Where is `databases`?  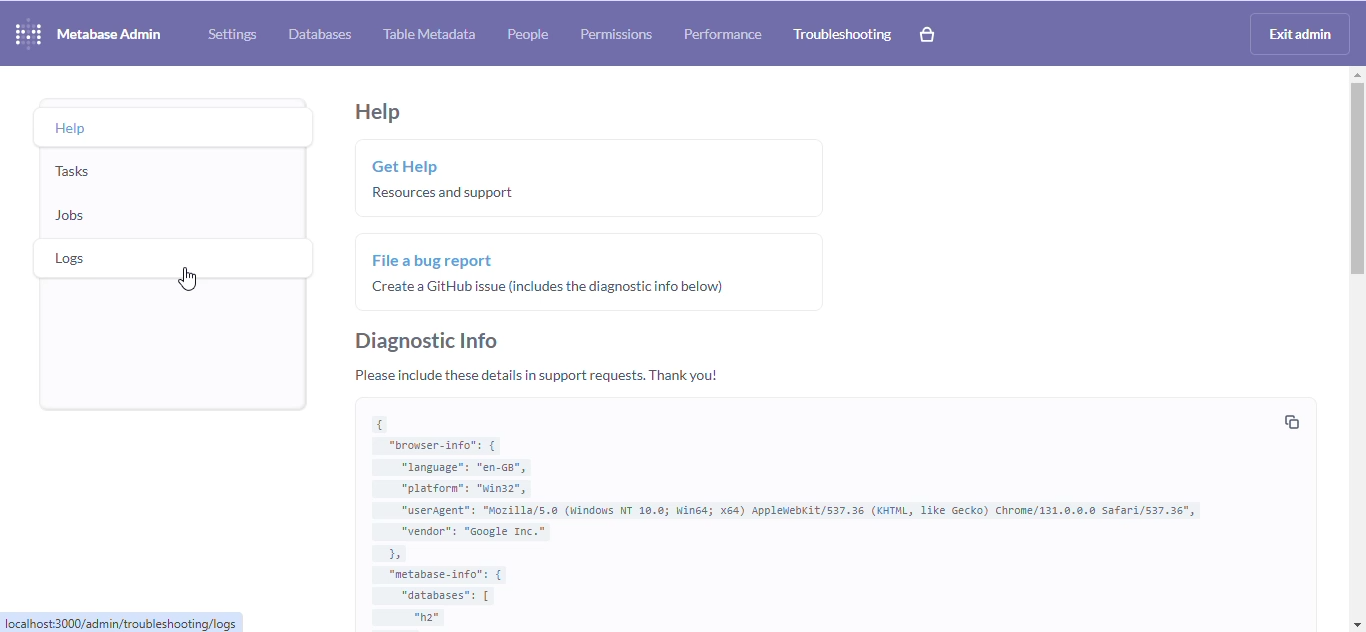
databases is located at coordinates (320, 35).